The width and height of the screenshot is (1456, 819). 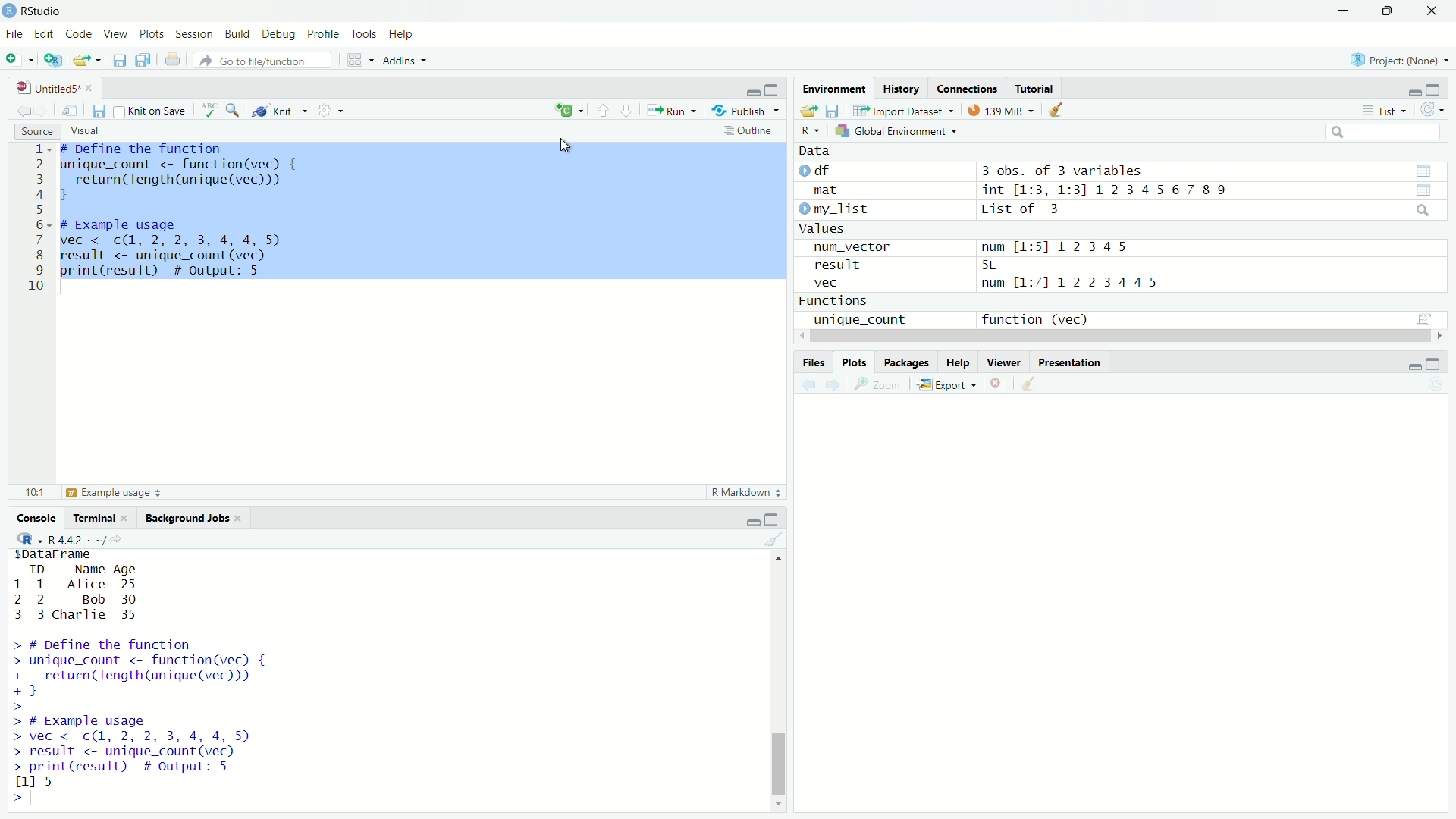 I want to click on R dropdown, so click(x=30, y=541).